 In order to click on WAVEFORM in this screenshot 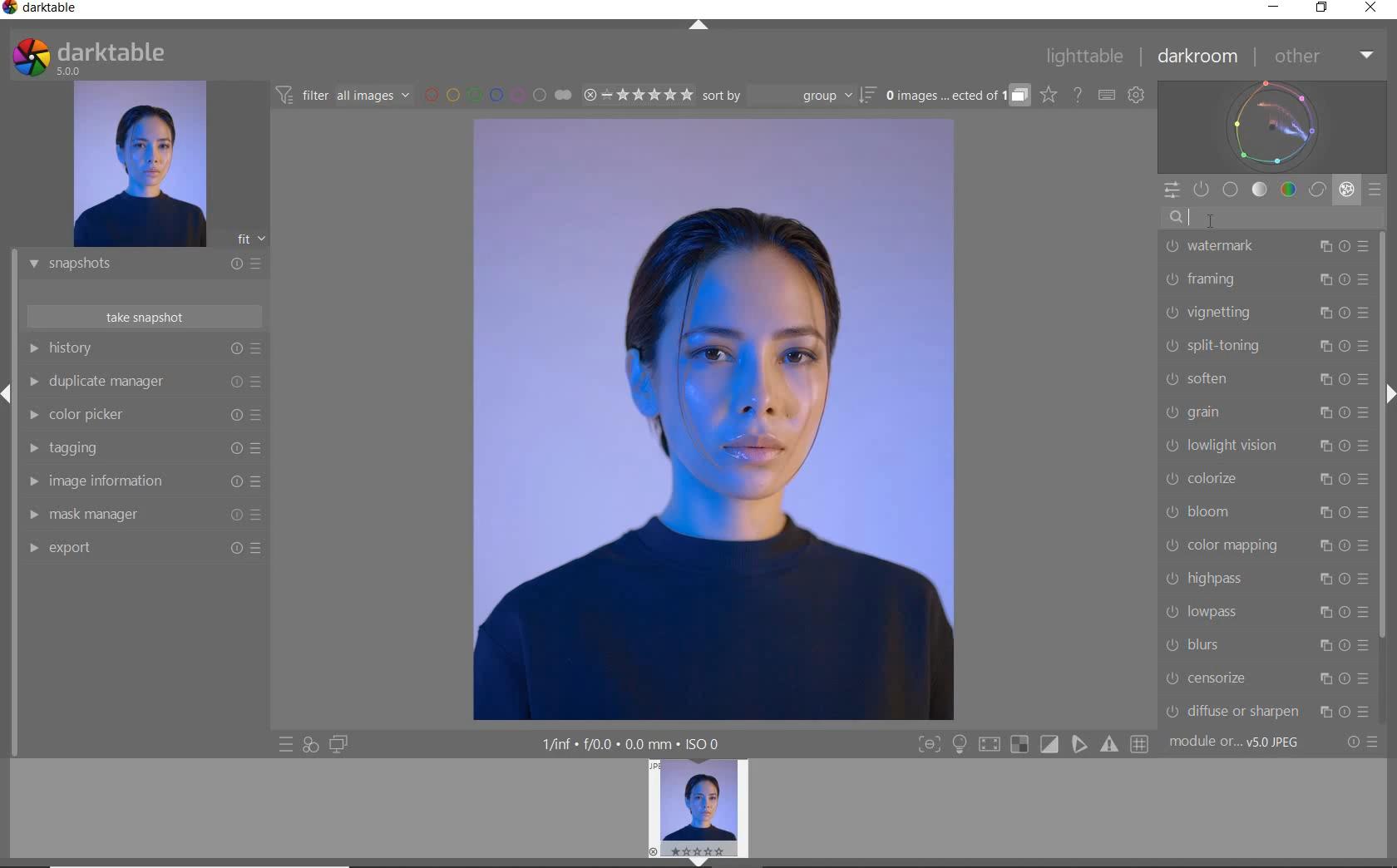, I will do `click(1272, 126)`.